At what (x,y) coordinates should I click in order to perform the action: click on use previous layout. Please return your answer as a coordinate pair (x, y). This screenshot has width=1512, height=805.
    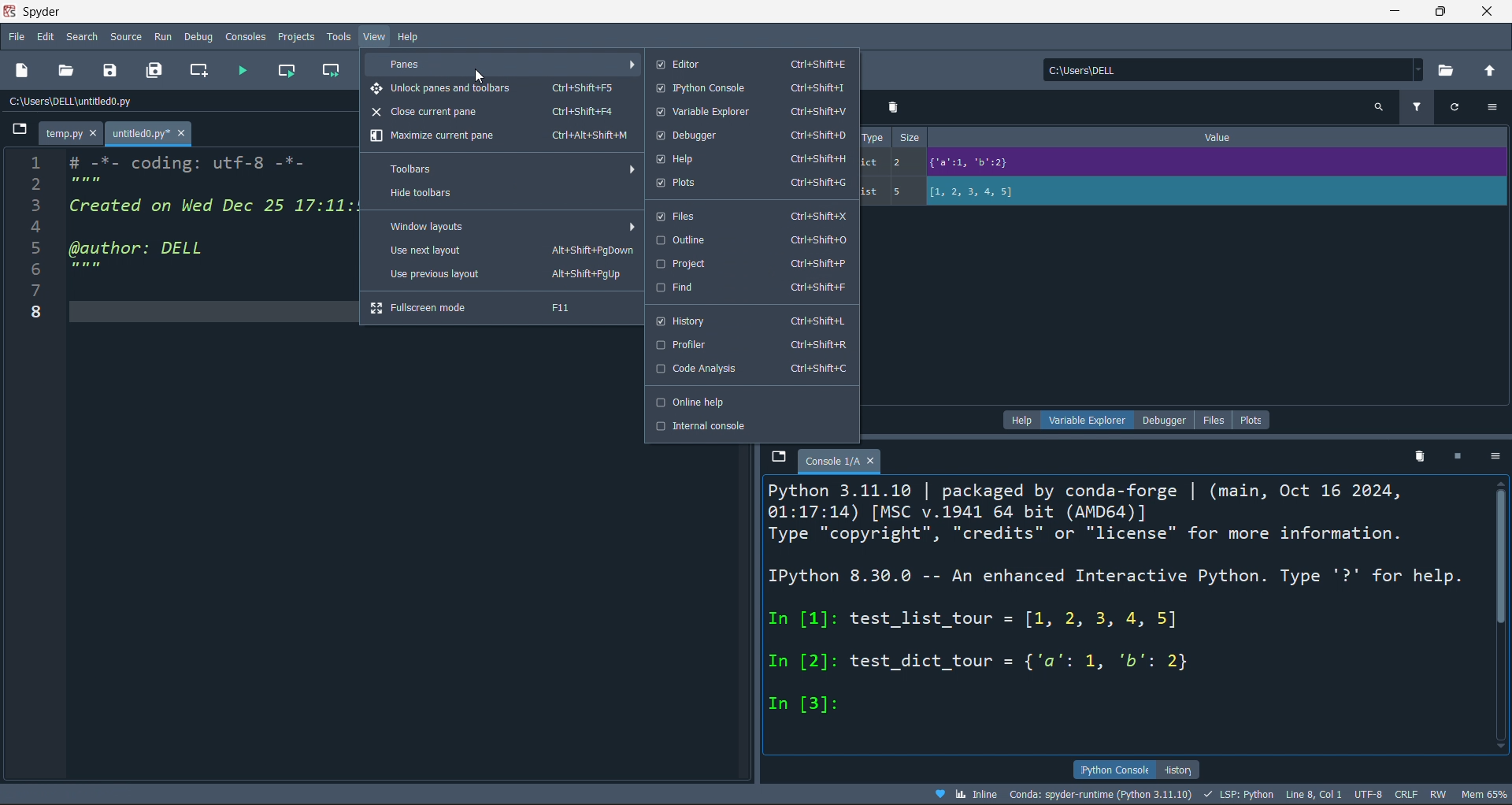
    Looking at the image, I should click on (498, 274).